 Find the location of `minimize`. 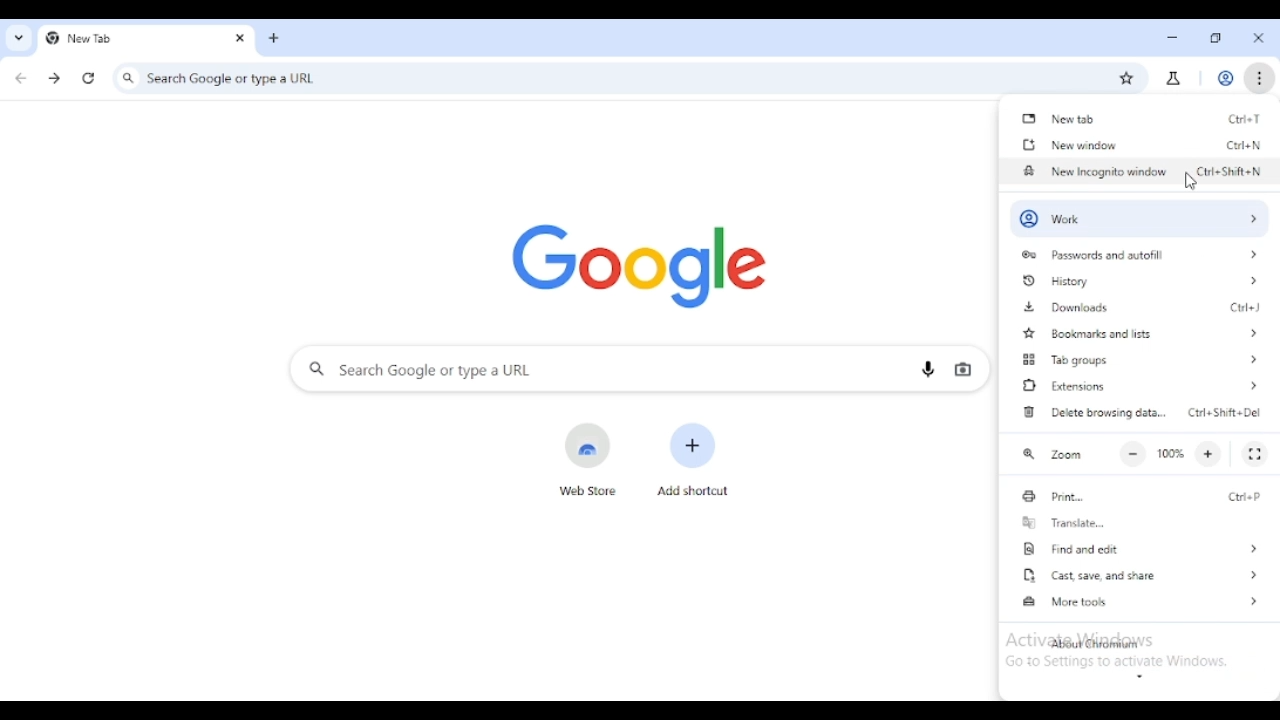

minimize is located at coordinates (1173, 39).